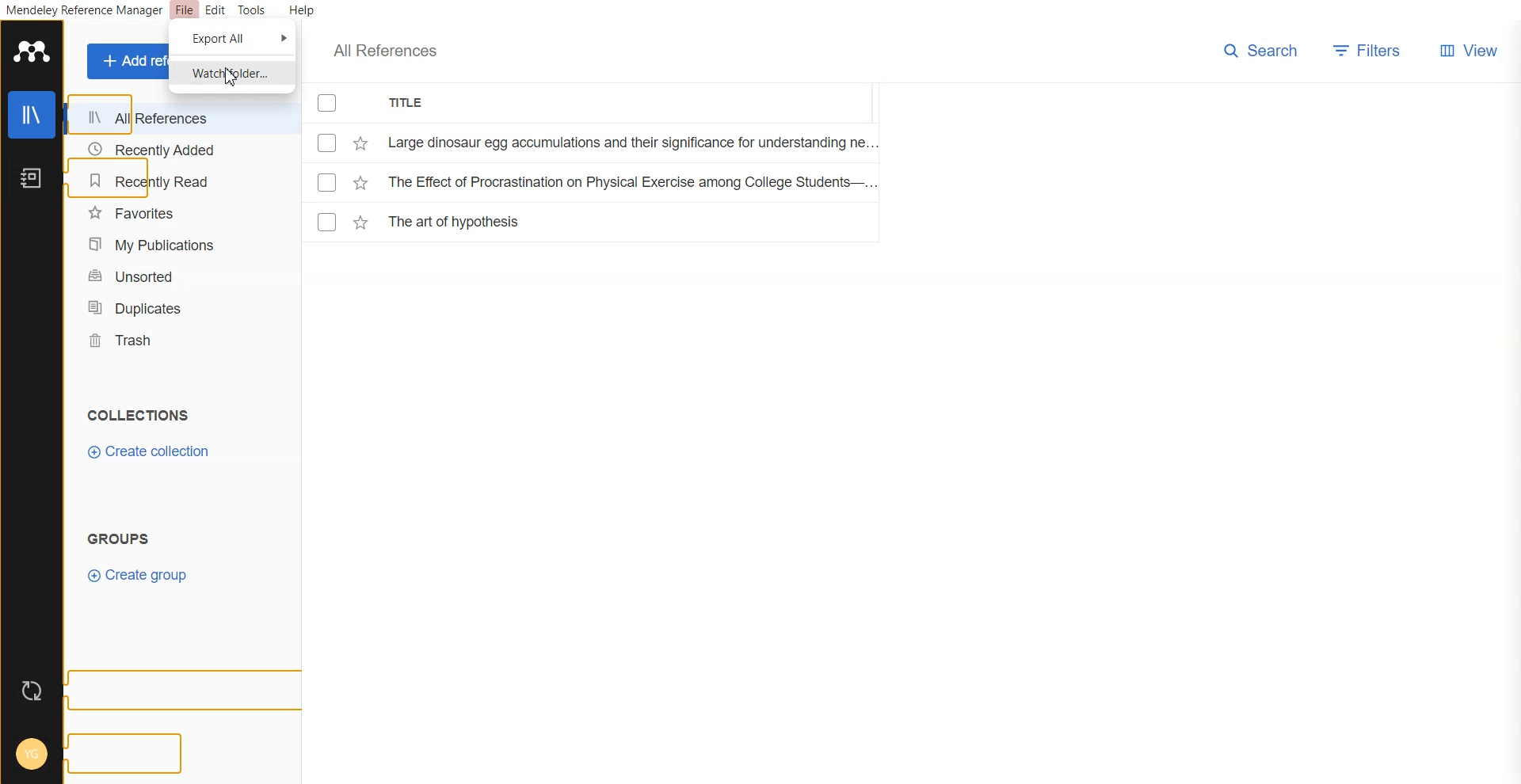 This screenshot has height=784, width=1521. What do you see at coordinates (234, 72) in the screenshot?
I see `Watch folder` at bounding box center [234, 72].